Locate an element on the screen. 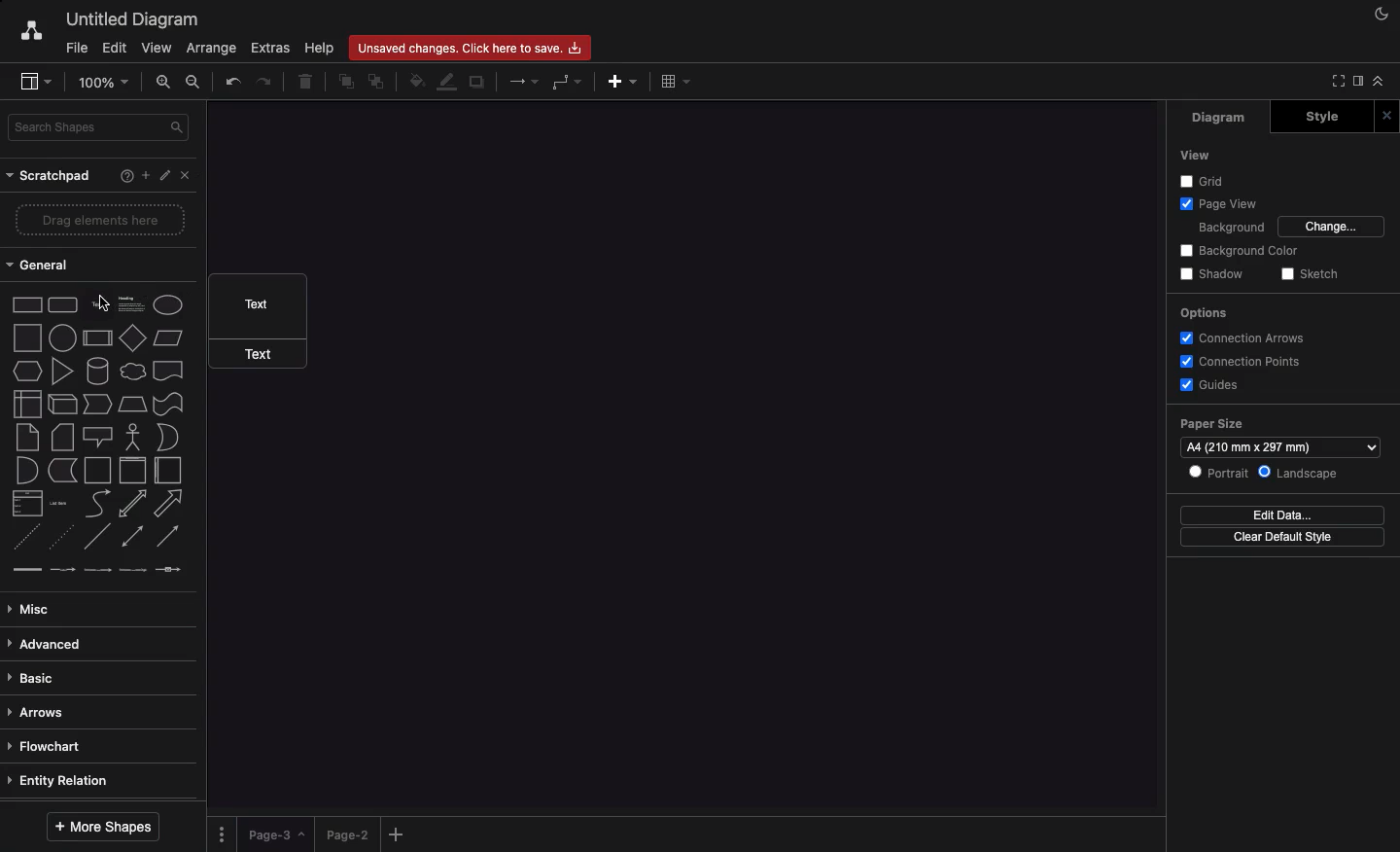 This screenshot has height=852, width=1400. circle is located at coordinates (62, 337).